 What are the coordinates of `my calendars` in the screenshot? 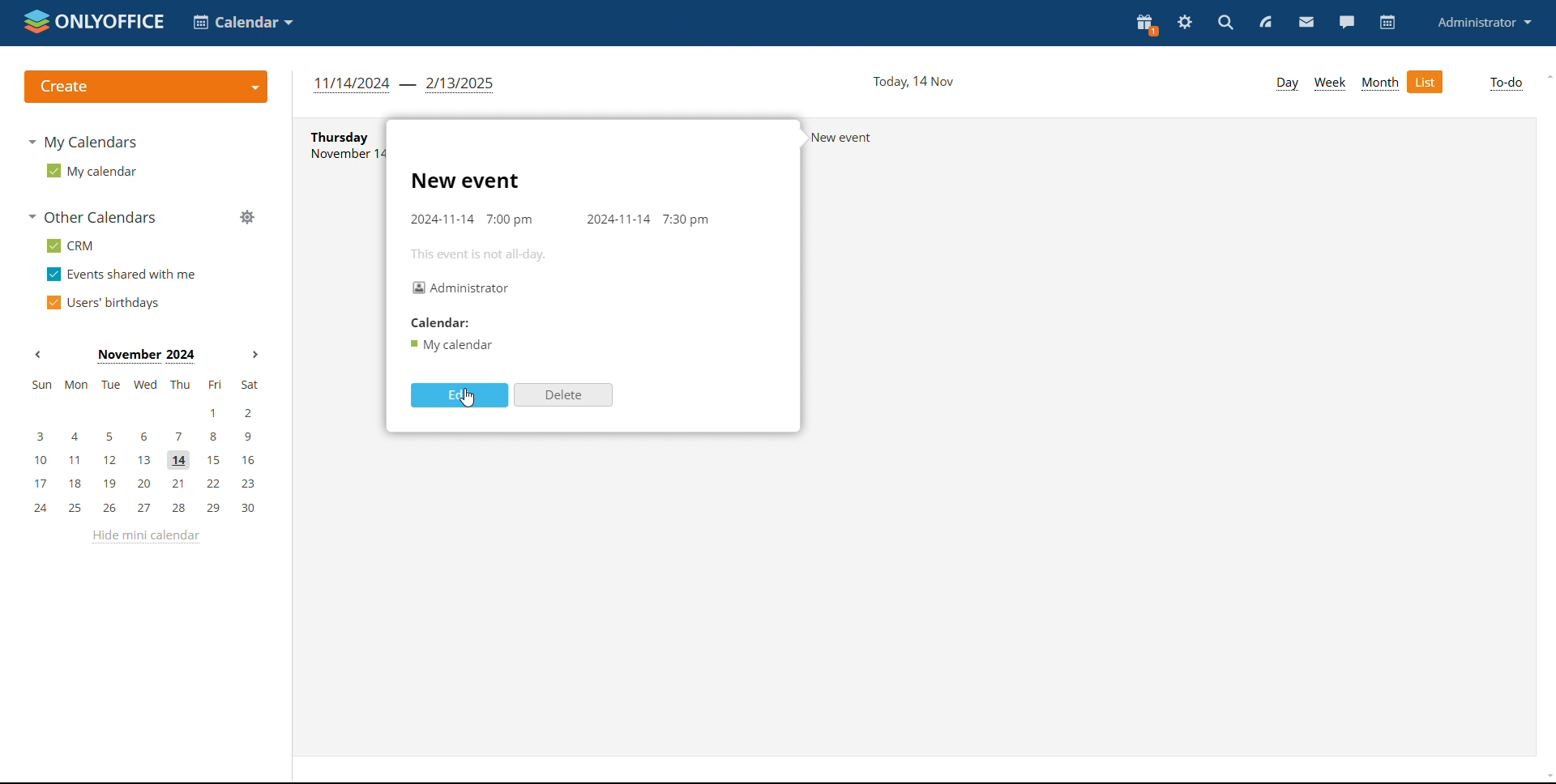 It's located at (80, 141).